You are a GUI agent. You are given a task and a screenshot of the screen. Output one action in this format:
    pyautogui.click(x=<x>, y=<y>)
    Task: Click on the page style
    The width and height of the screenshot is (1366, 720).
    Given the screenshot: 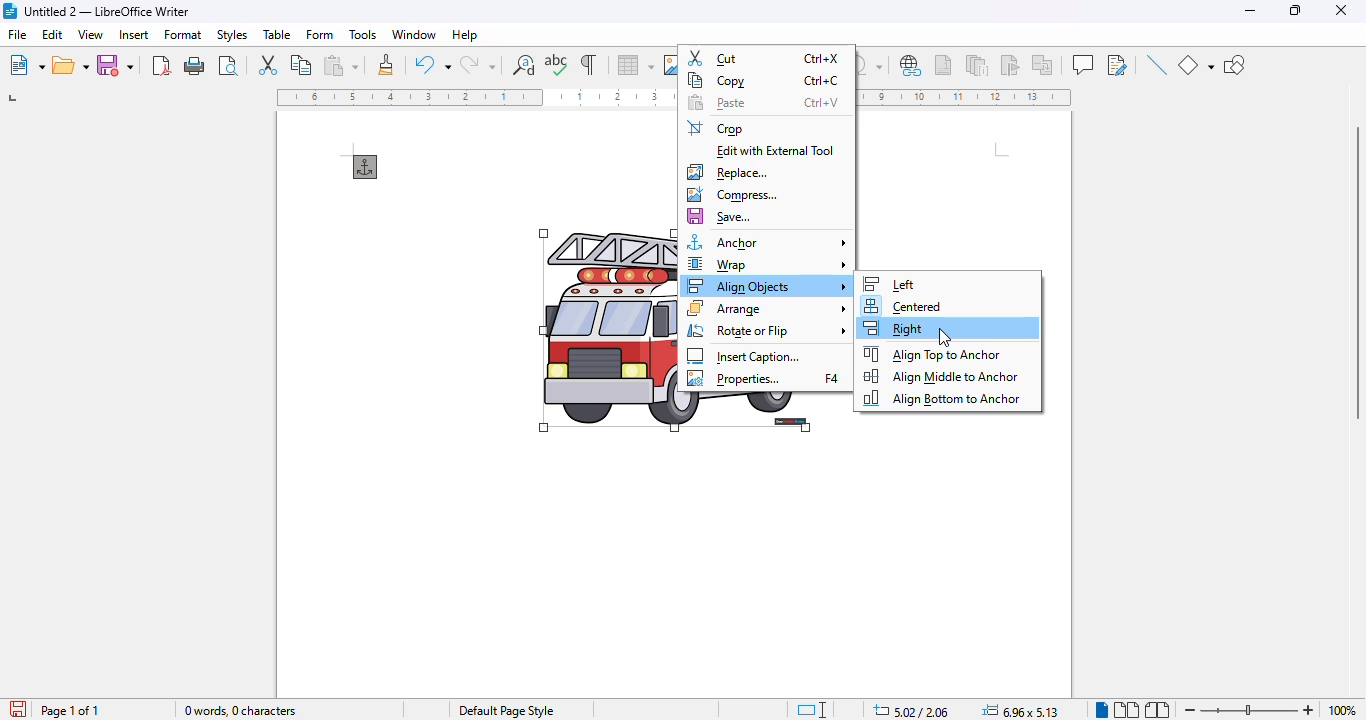 What is the action you would take?
    pyautogui.click(x=506, y=711)
    